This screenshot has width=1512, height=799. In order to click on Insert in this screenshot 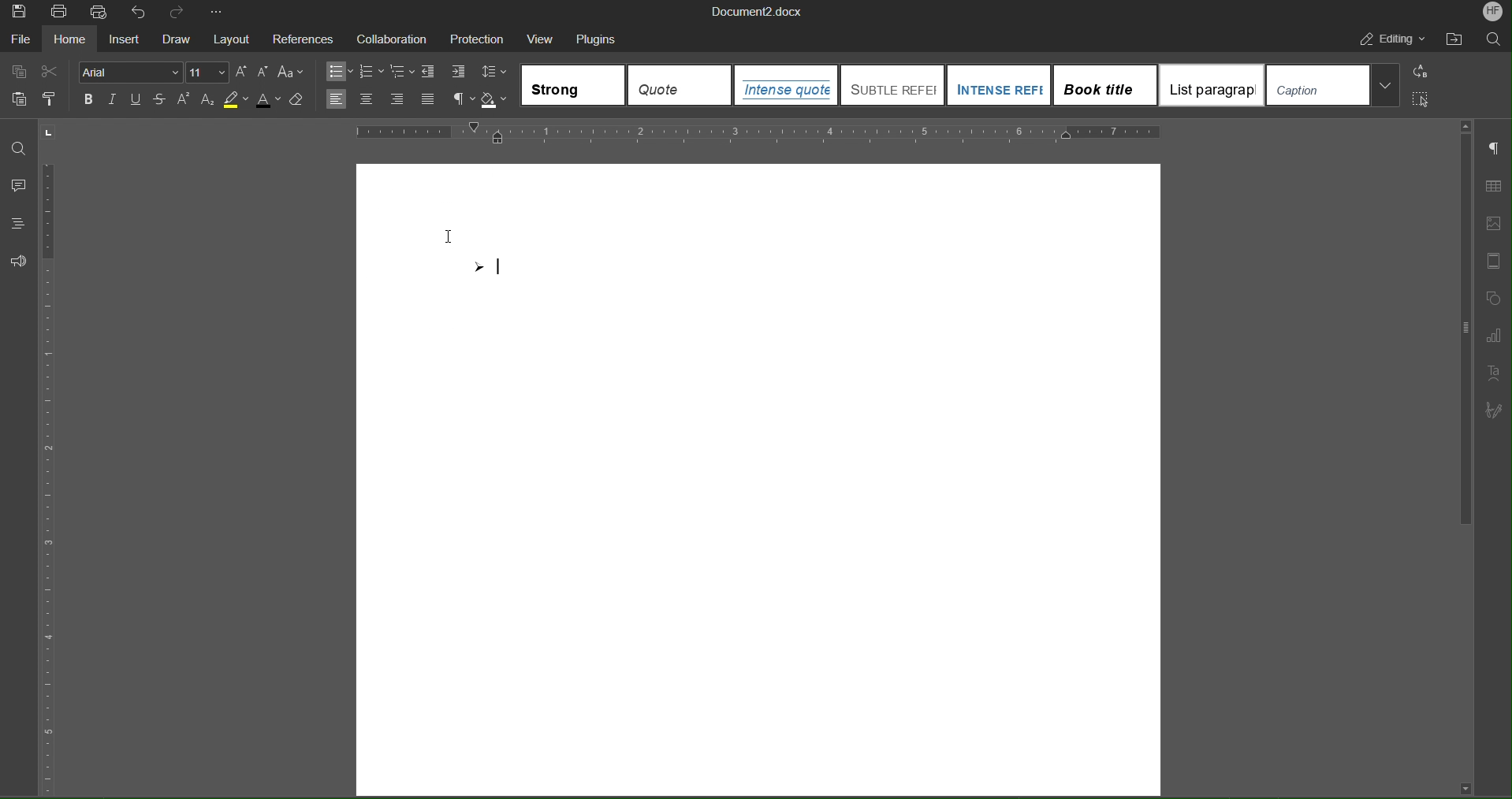, I will do `click(125, 40)`.